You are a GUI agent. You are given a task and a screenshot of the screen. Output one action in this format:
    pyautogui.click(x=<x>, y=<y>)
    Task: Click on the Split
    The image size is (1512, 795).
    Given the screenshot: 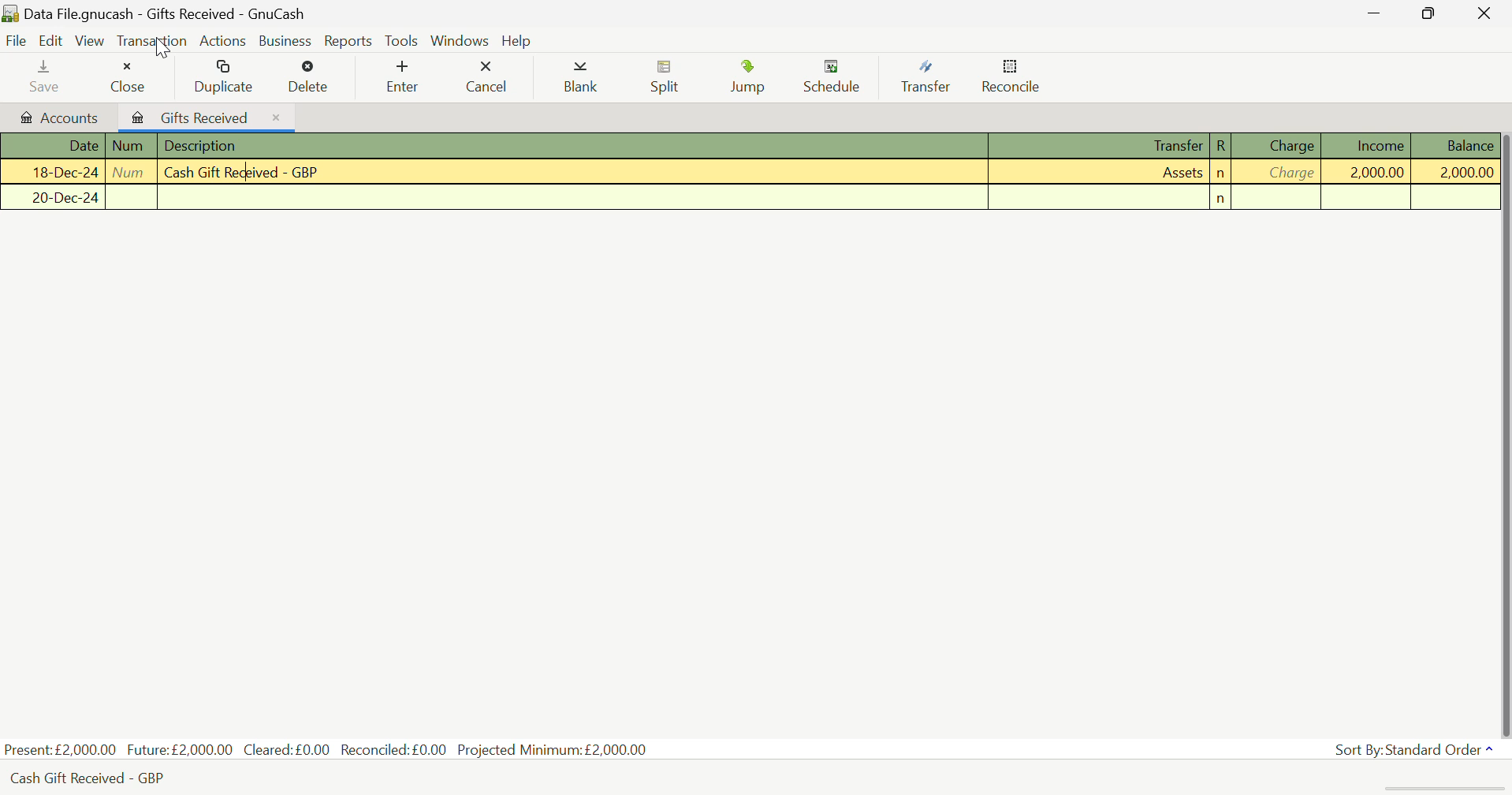 What is the action you would take?
    pyautogui.click(x=666, y=79)
    